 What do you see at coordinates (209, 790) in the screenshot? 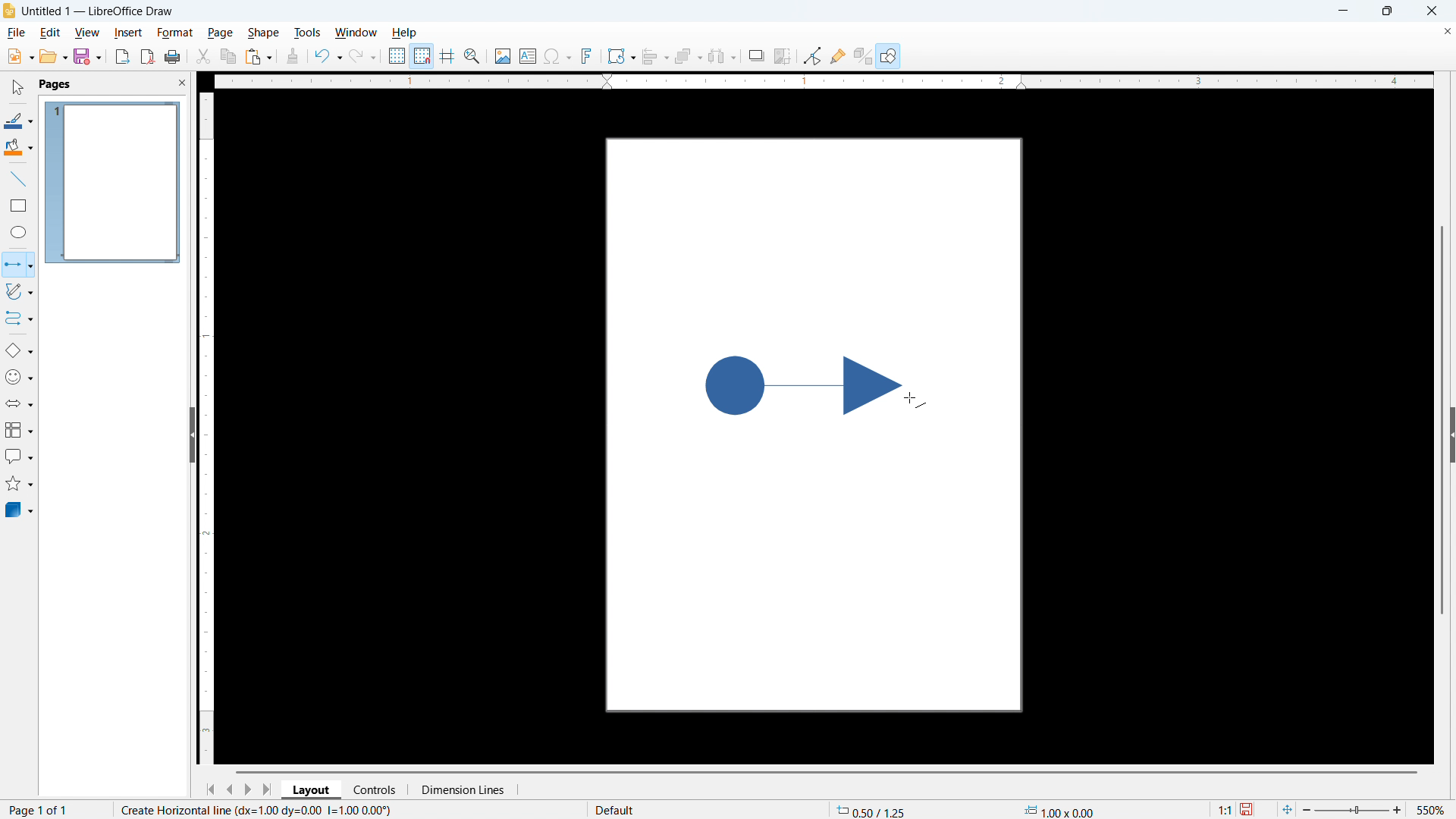
I see `Go to first page ` at bounding box center [209, 790].